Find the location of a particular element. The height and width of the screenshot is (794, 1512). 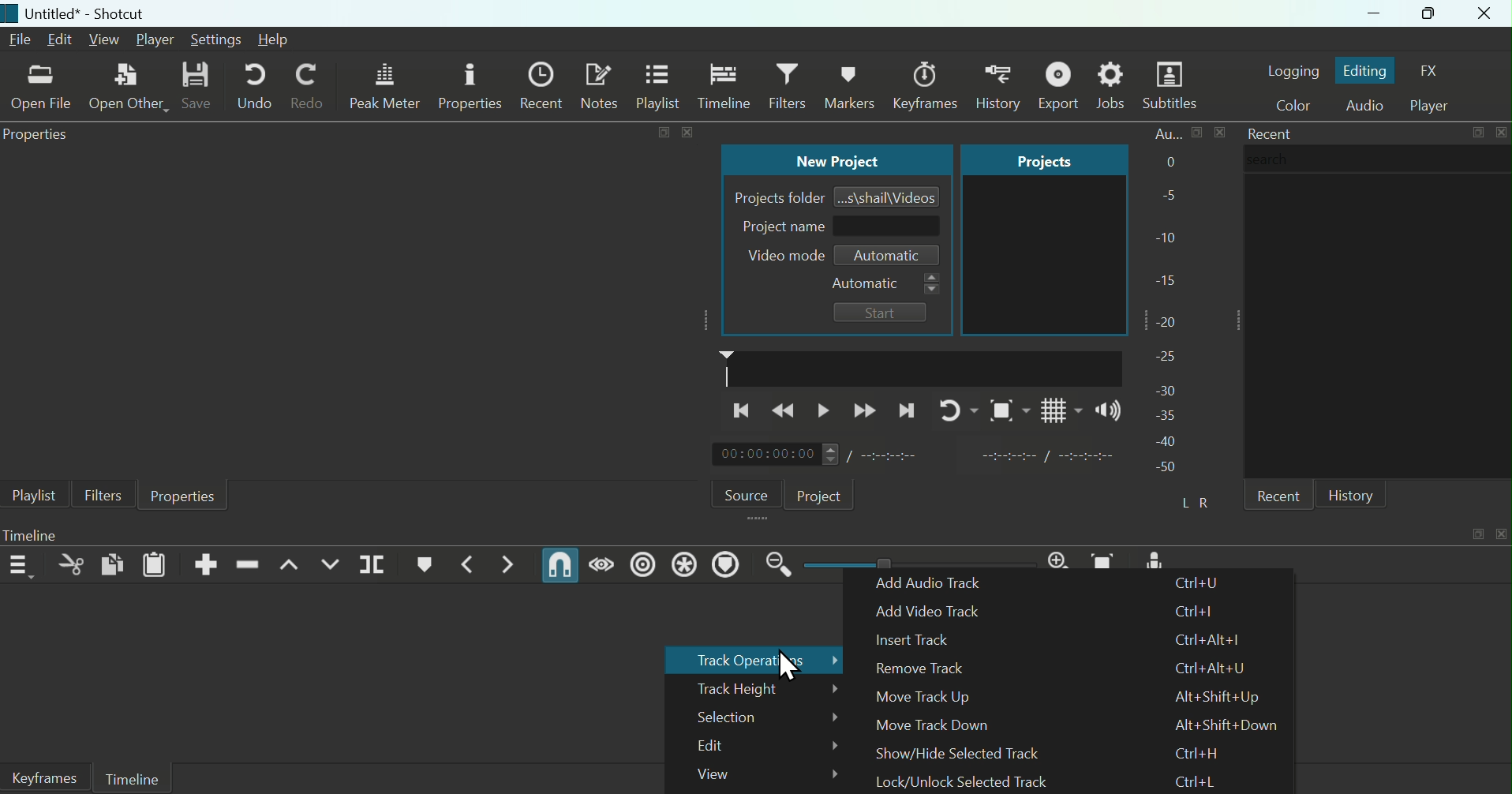

-50 is located at coordinates (1166, 468).